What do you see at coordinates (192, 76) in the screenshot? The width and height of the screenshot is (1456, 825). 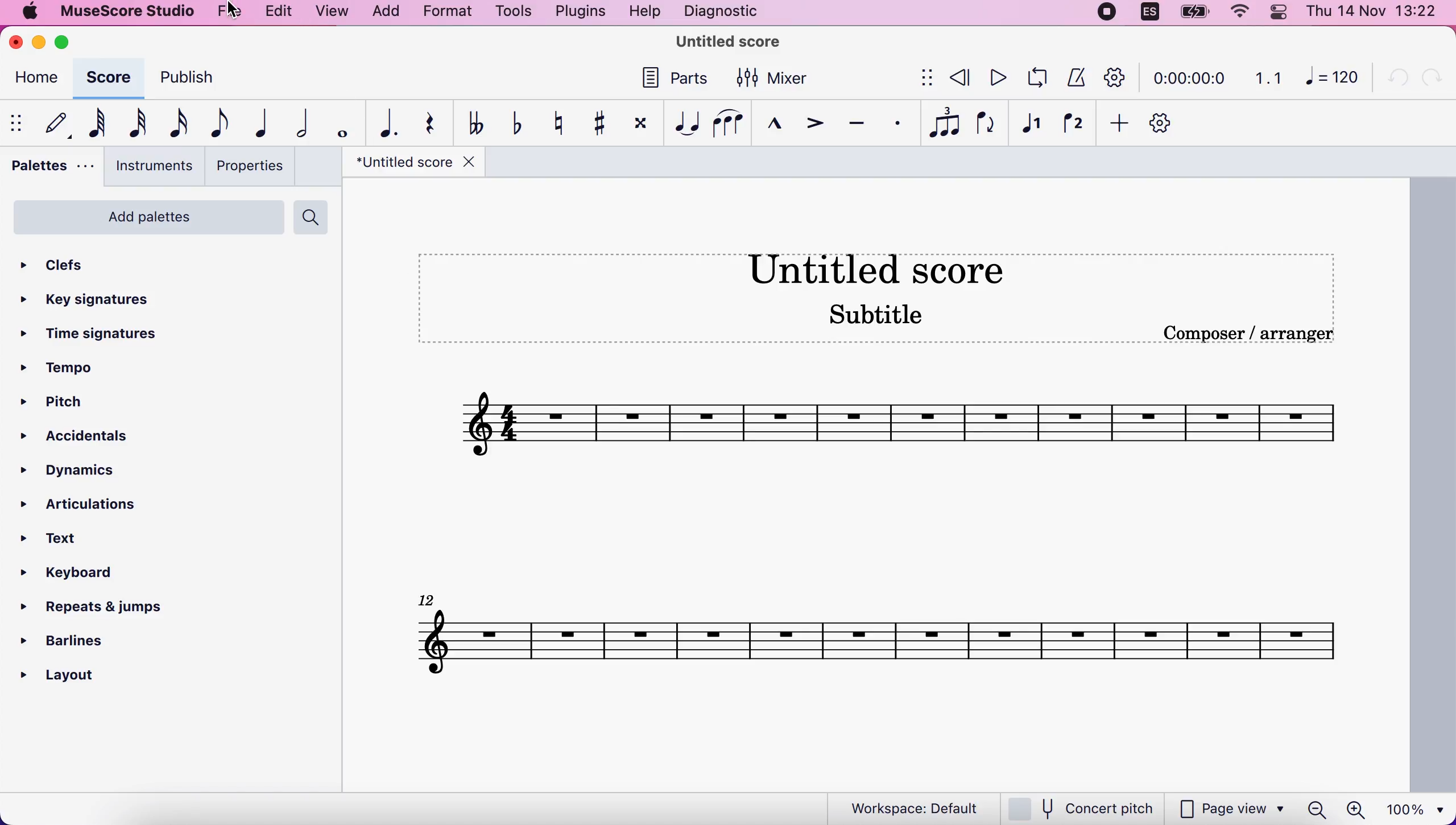 I see `publish` at bounding box center [192, 76].